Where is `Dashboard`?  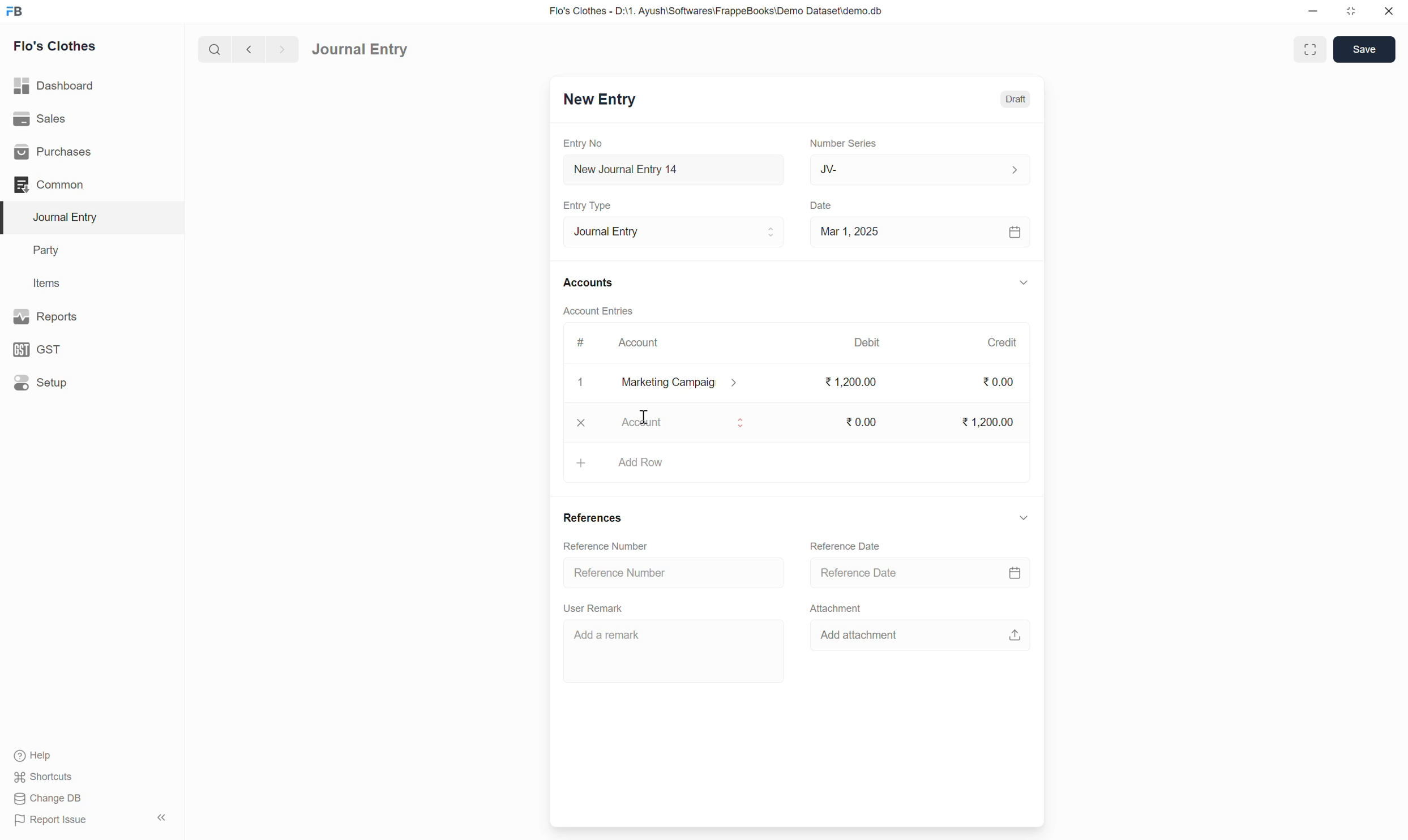
Dashboard is located at coordinates (55, 85).